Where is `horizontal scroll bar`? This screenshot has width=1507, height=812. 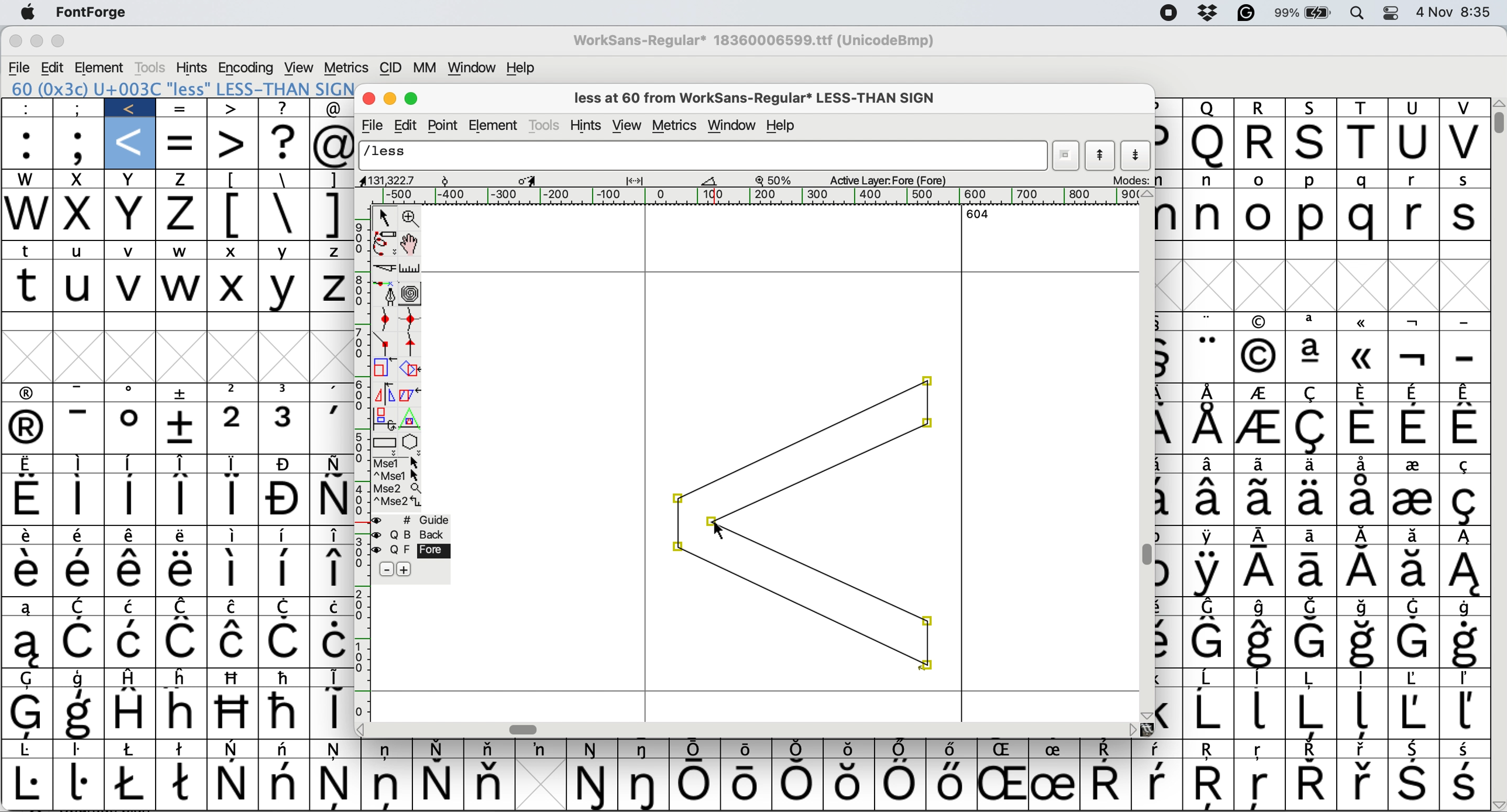 horizontal scroll bar is located at coordinates (744, 728).